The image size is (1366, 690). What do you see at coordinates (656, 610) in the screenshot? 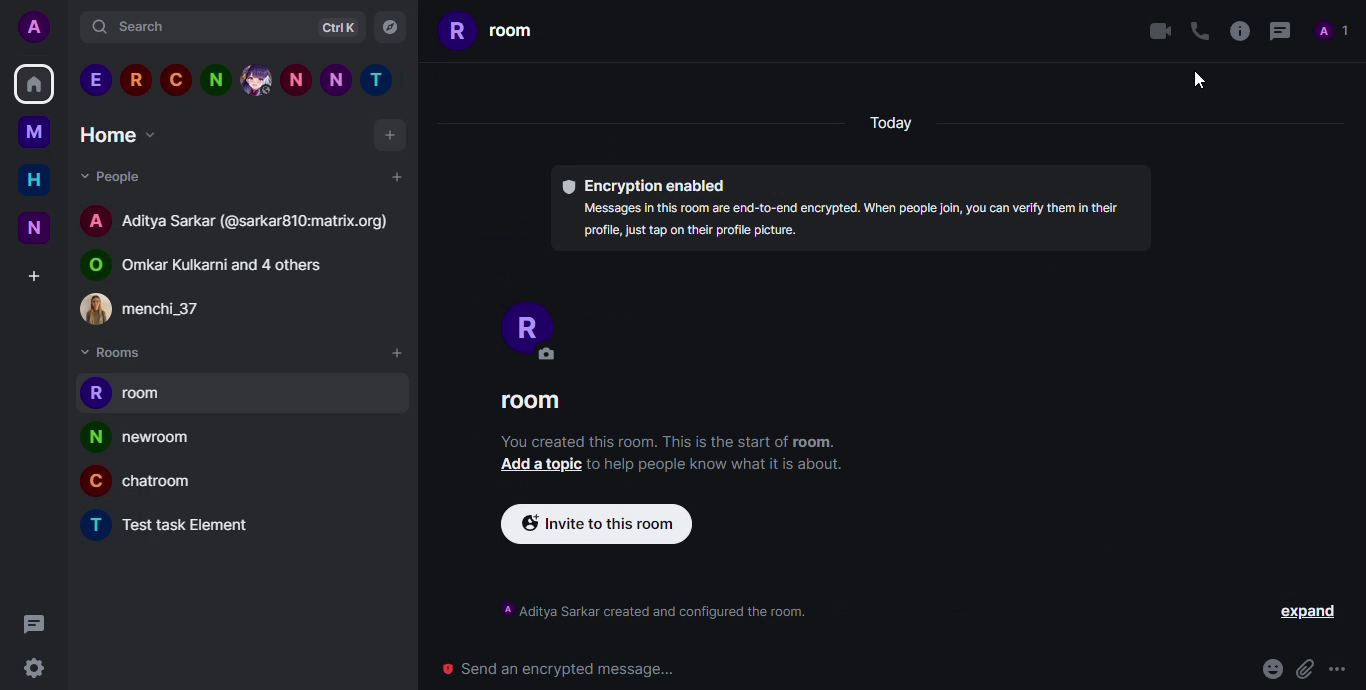
I see `info` at bounding box center [656, 610].